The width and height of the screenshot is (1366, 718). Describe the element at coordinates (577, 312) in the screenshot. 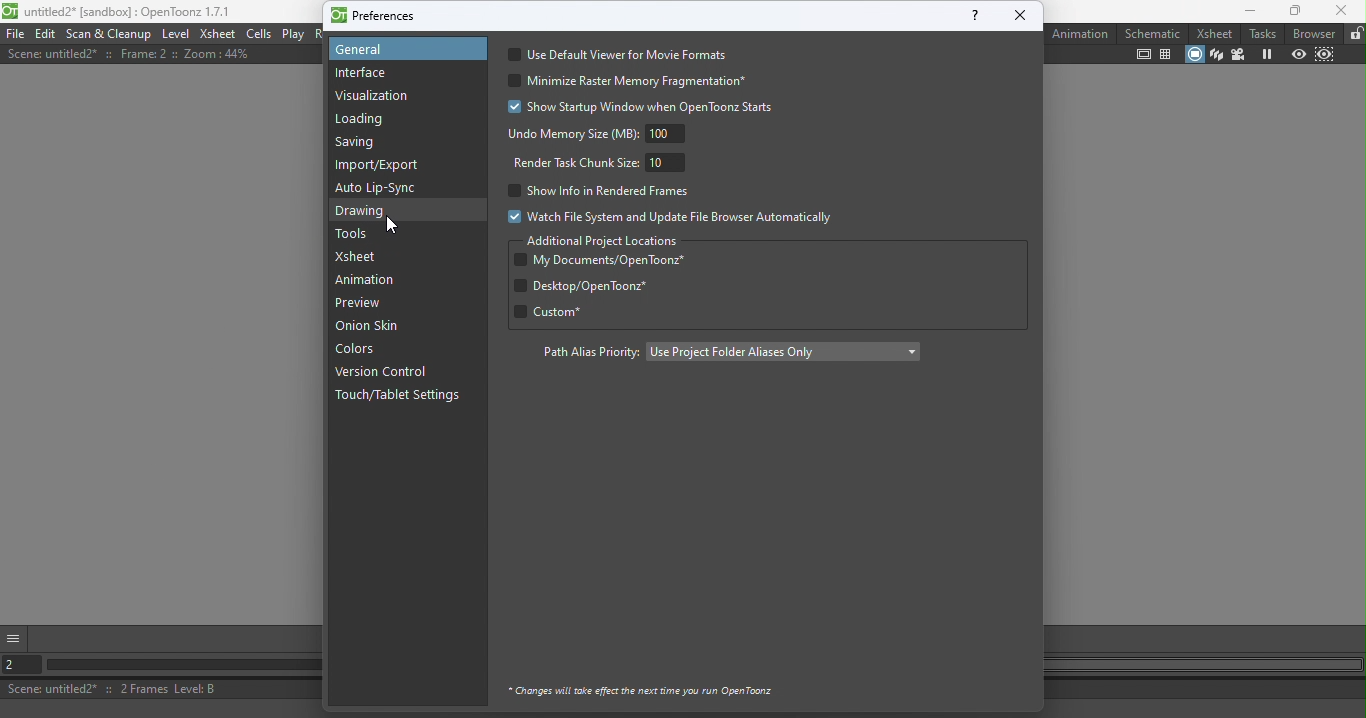

I see `Custom` at that location.